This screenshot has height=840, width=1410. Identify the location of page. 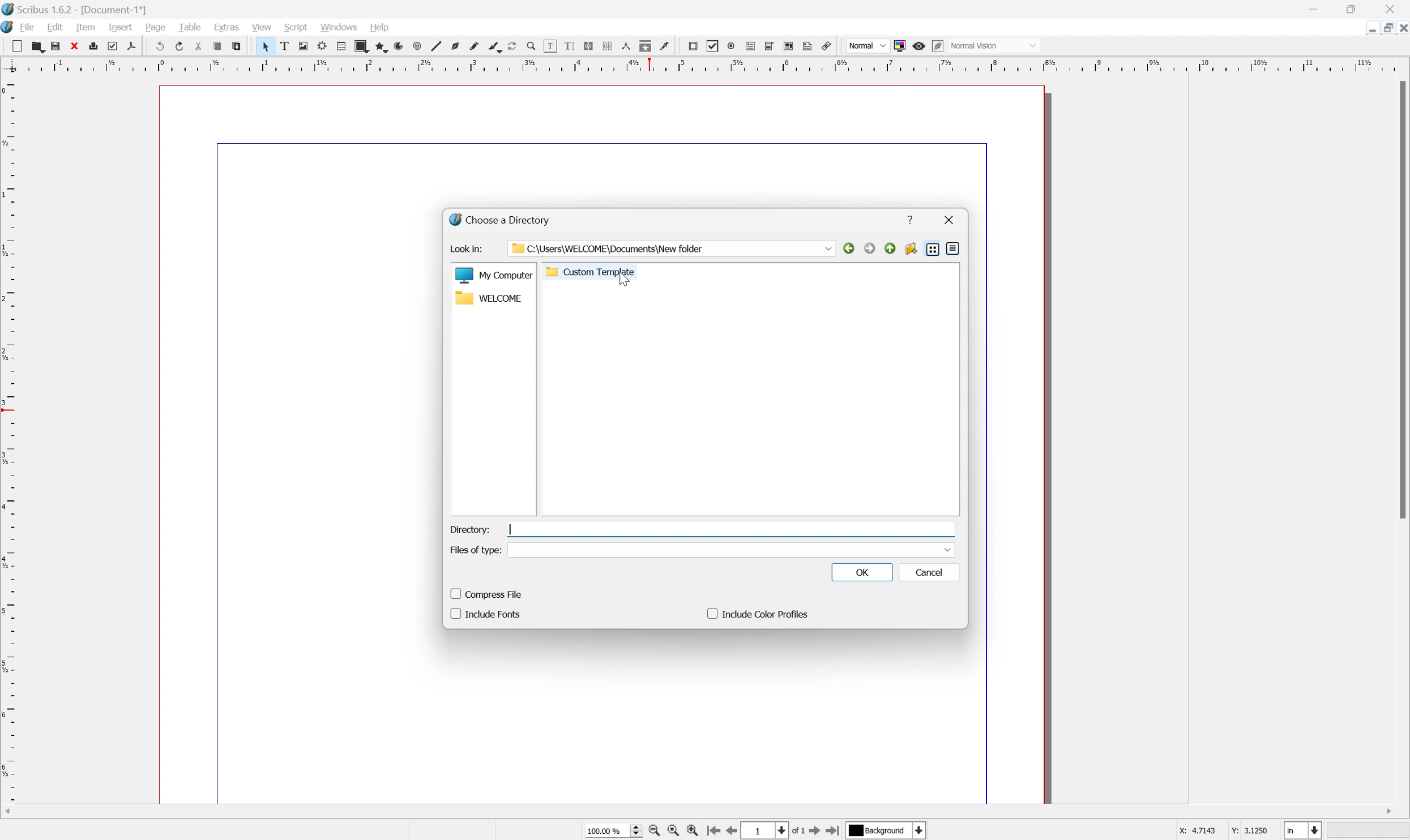
(156, 28).